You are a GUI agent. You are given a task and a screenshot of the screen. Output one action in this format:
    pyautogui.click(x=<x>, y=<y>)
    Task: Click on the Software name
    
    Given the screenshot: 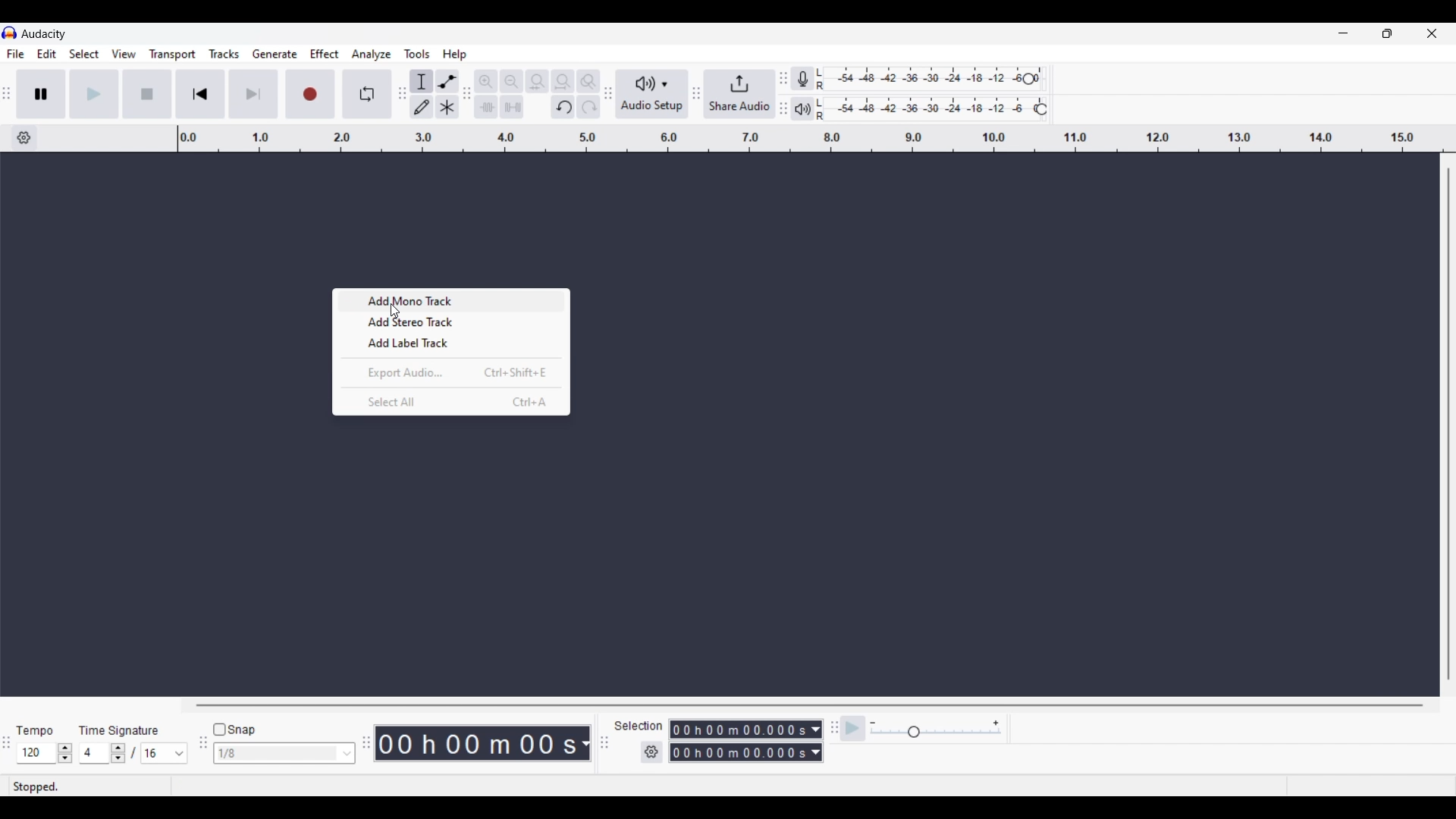 What is the action you would take?
    pyautogui.click(x=44, y=33)
    